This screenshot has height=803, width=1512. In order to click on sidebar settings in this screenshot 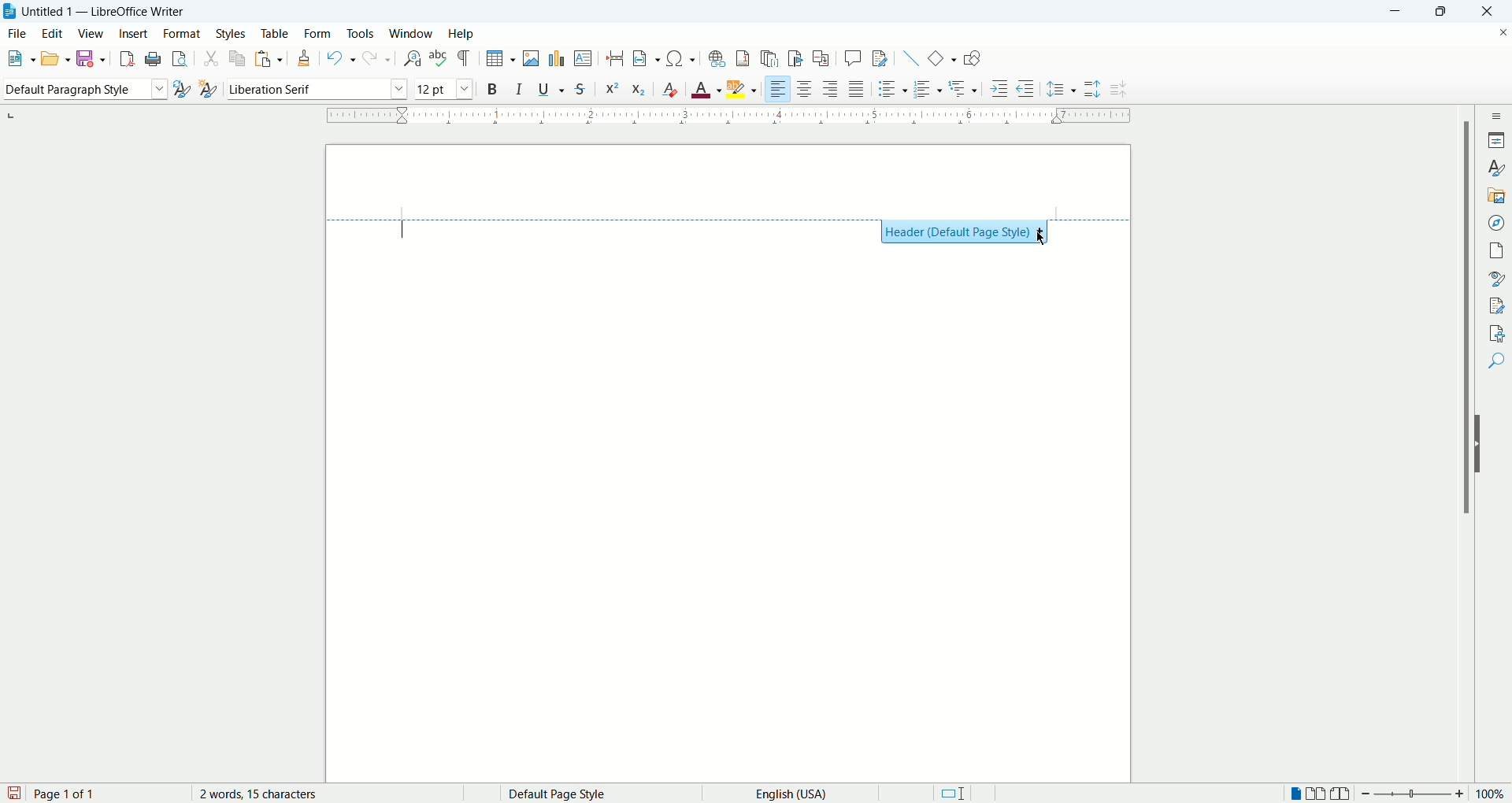, I will do `click(1499, 117)`.